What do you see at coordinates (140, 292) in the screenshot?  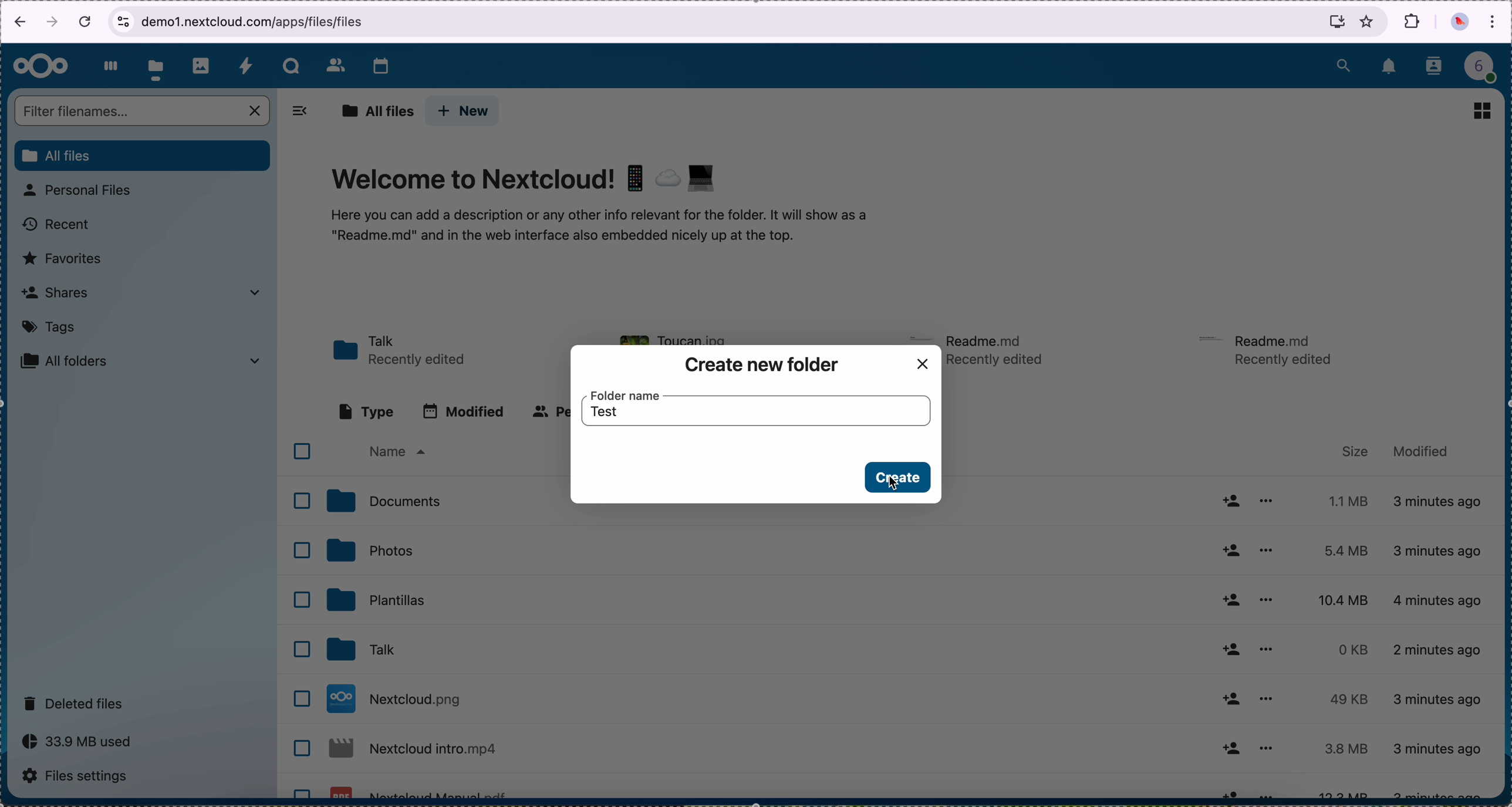 I see `shares` at bounding box center [140, 292].